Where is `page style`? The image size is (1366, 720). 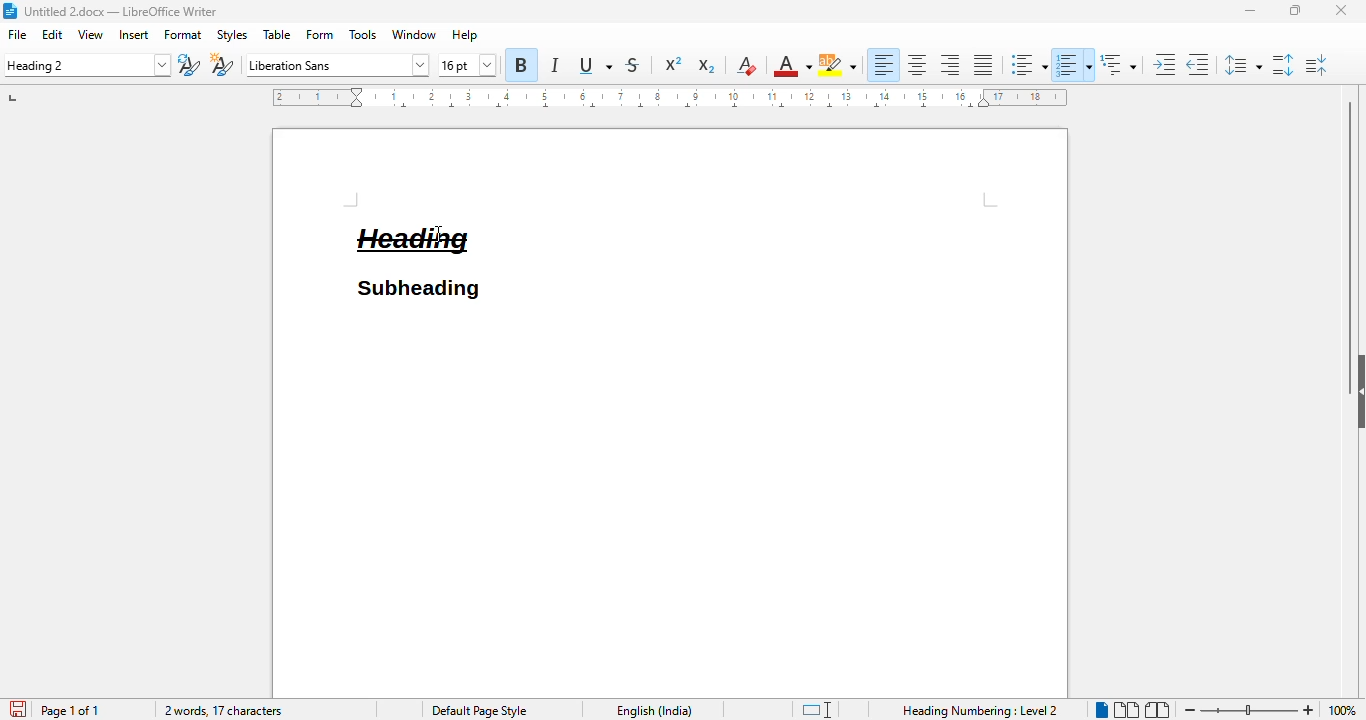 page style is located at coordinates (477, 710).